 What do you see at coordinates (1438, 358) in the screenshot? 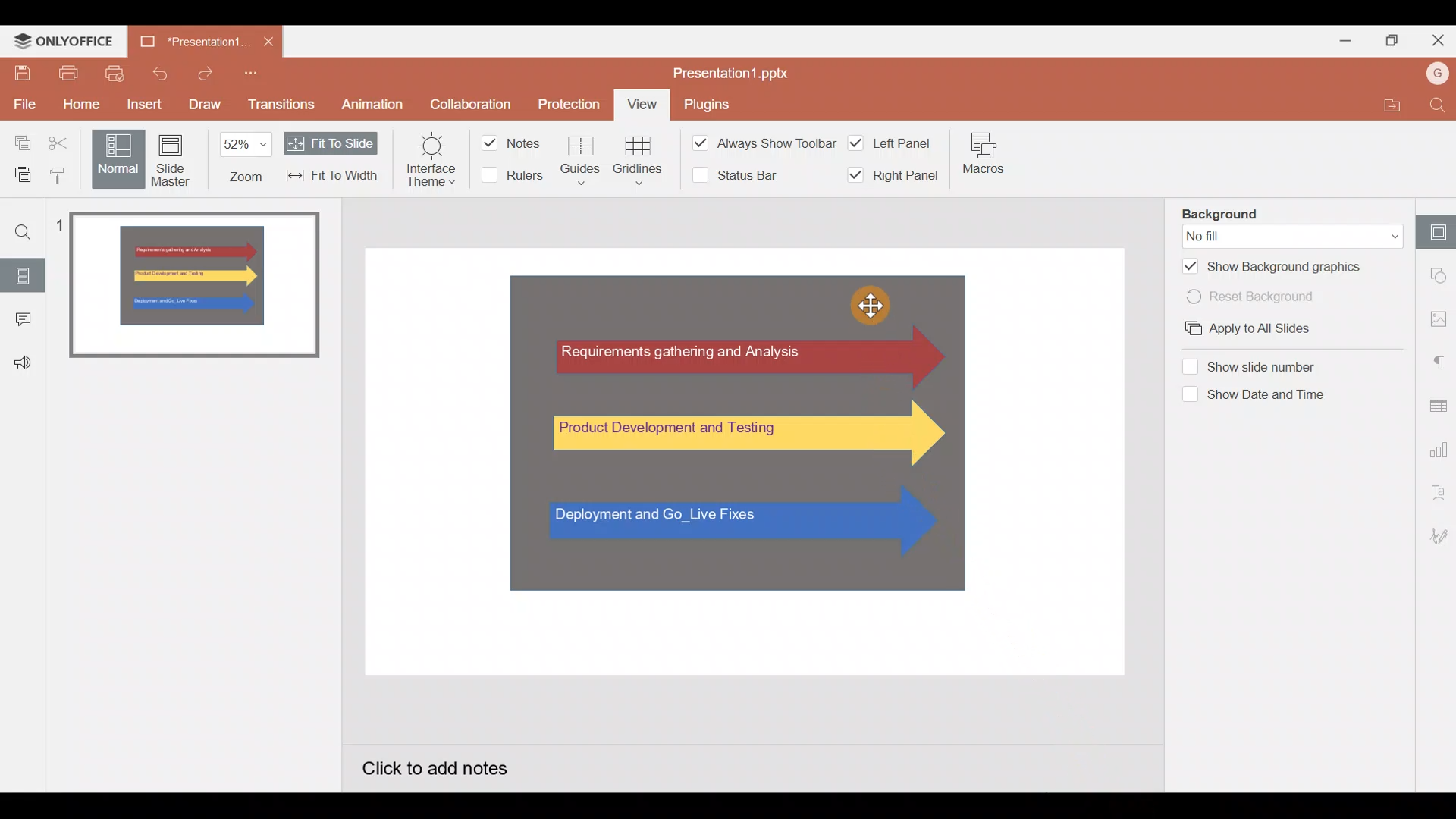
I see `Paragraph settings` at bounding box center [1438, 358].